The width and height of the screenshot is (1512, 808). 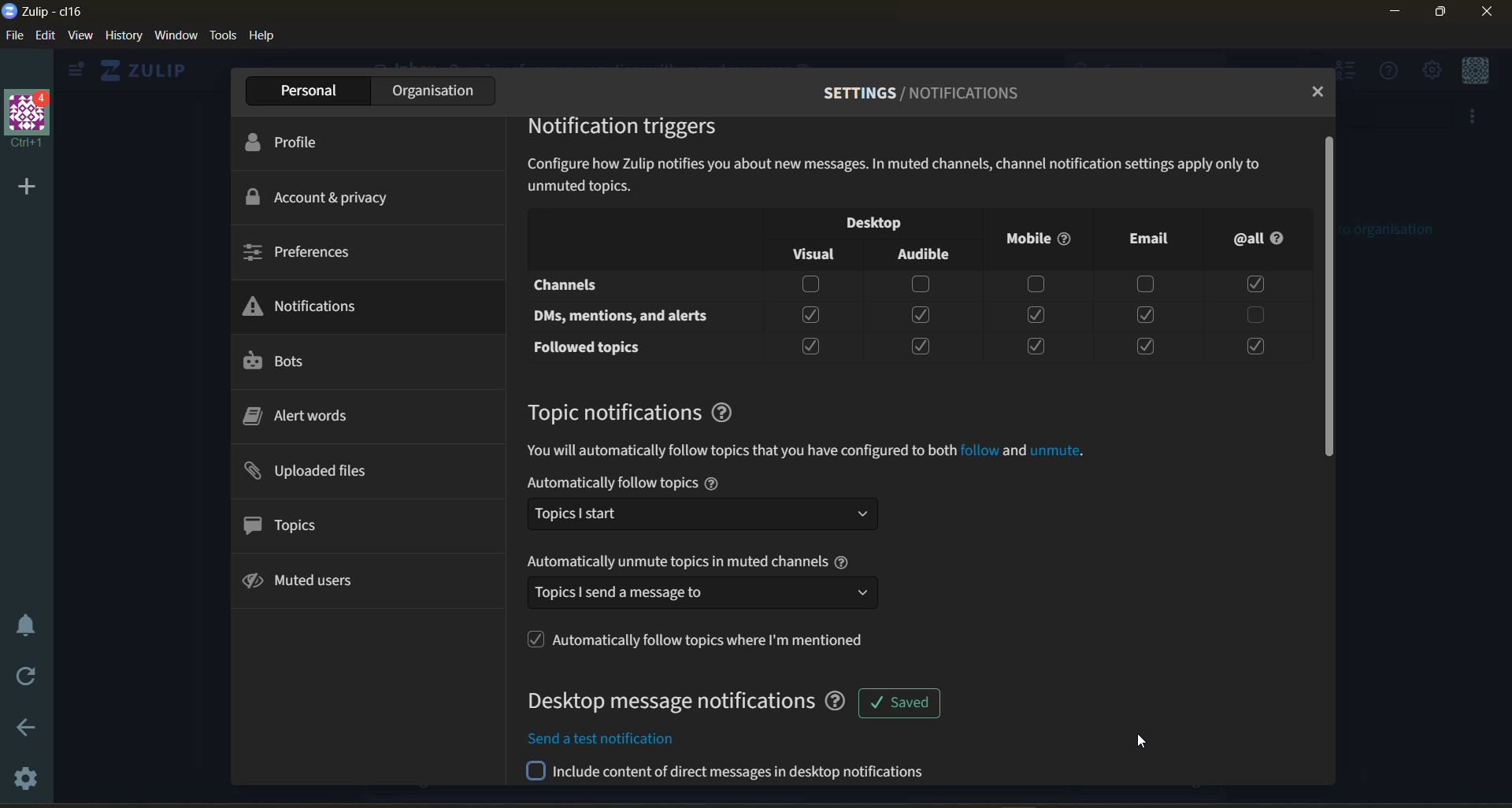 What do you see at coordinates (703, 639) in the screenshot?
I see `follow topics` at bounding box center [703, 639].